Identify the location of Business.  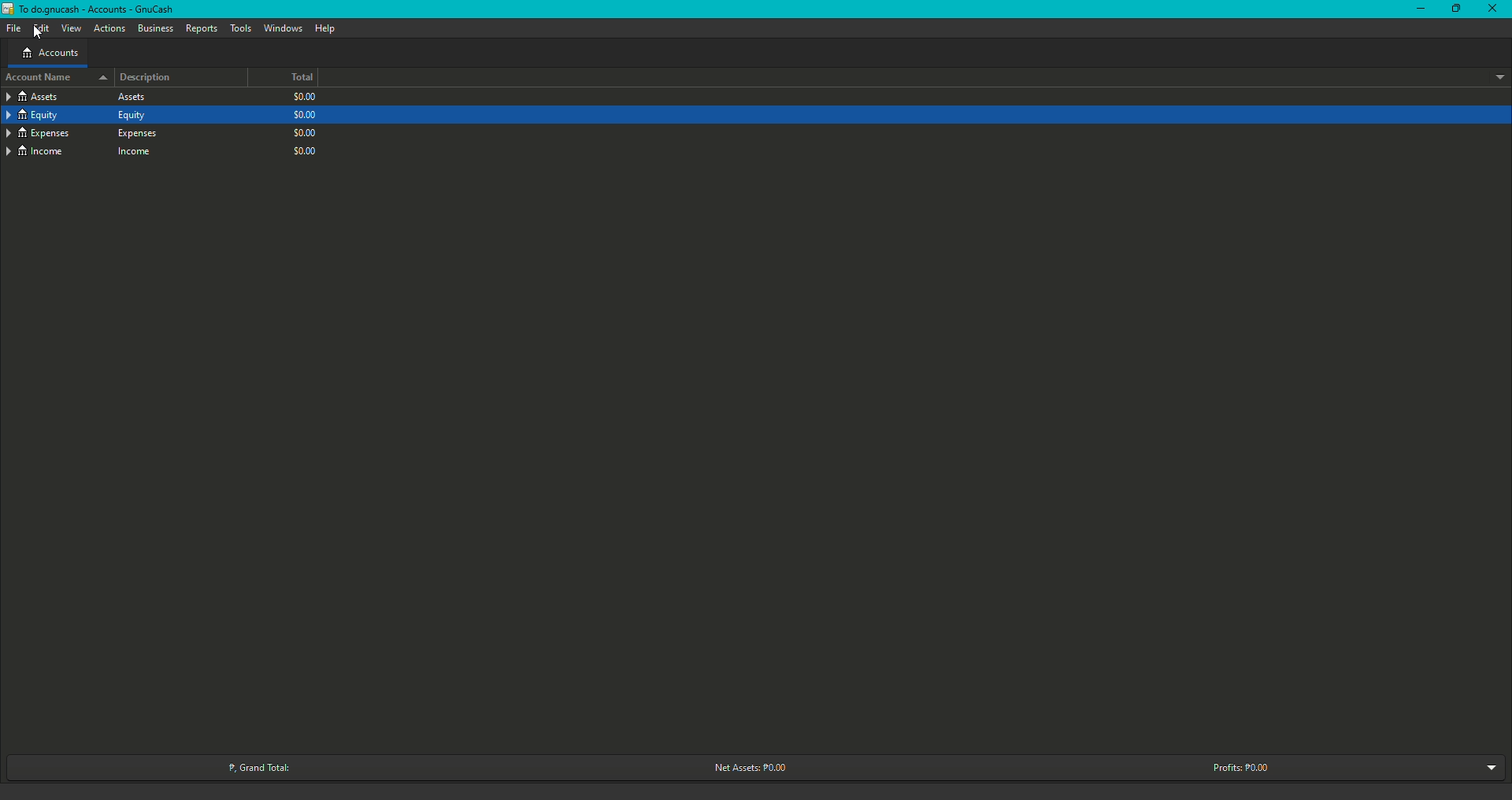
(154, 27).